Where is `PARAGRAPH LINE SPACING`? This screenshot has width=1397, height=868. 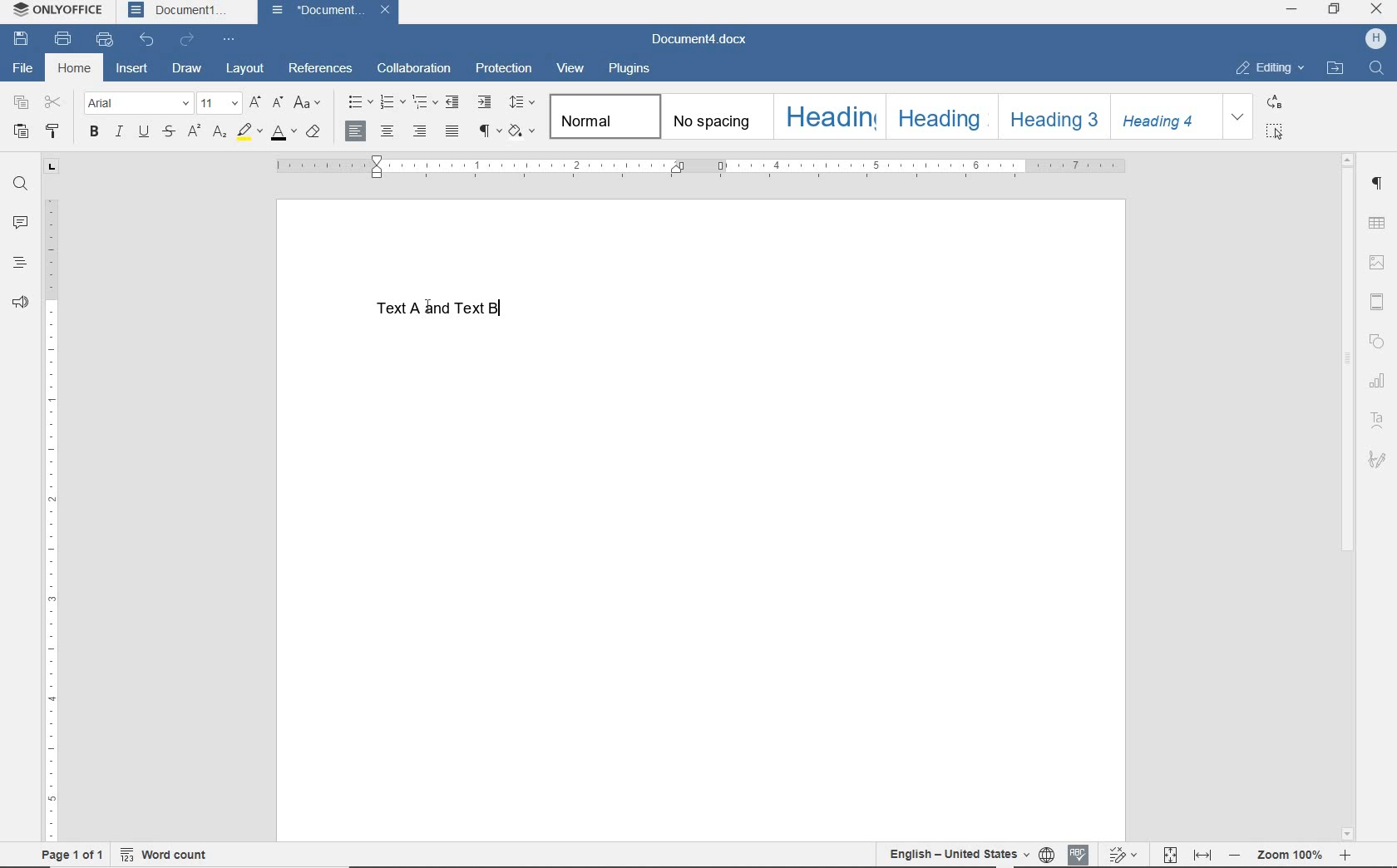
PARAGRAPH LINE SPACING is located at coordinates (521, 103).